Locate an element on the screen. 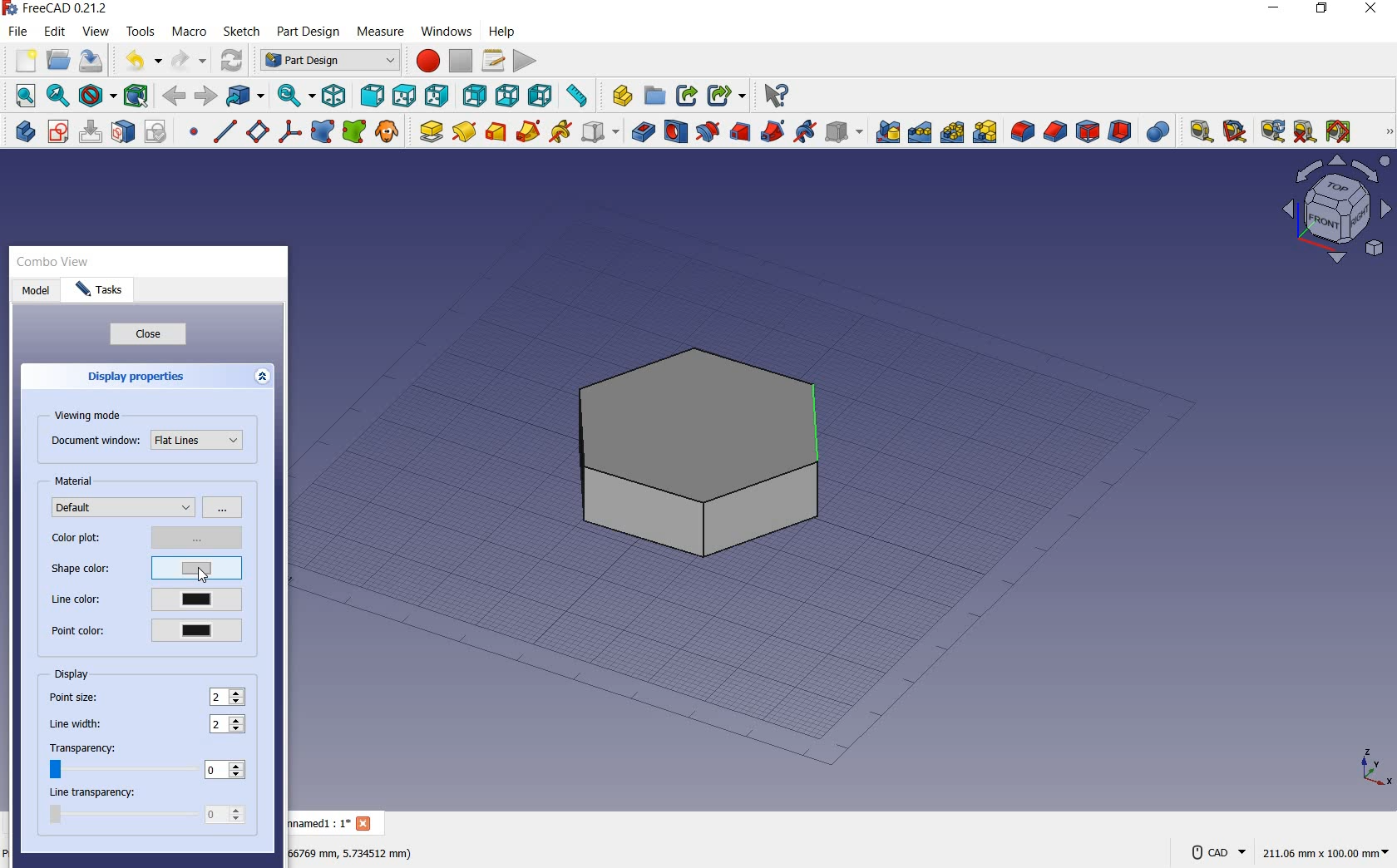 This screenshot has width=1397, height=868. create a datum plane is located at coordinates (256, 132).